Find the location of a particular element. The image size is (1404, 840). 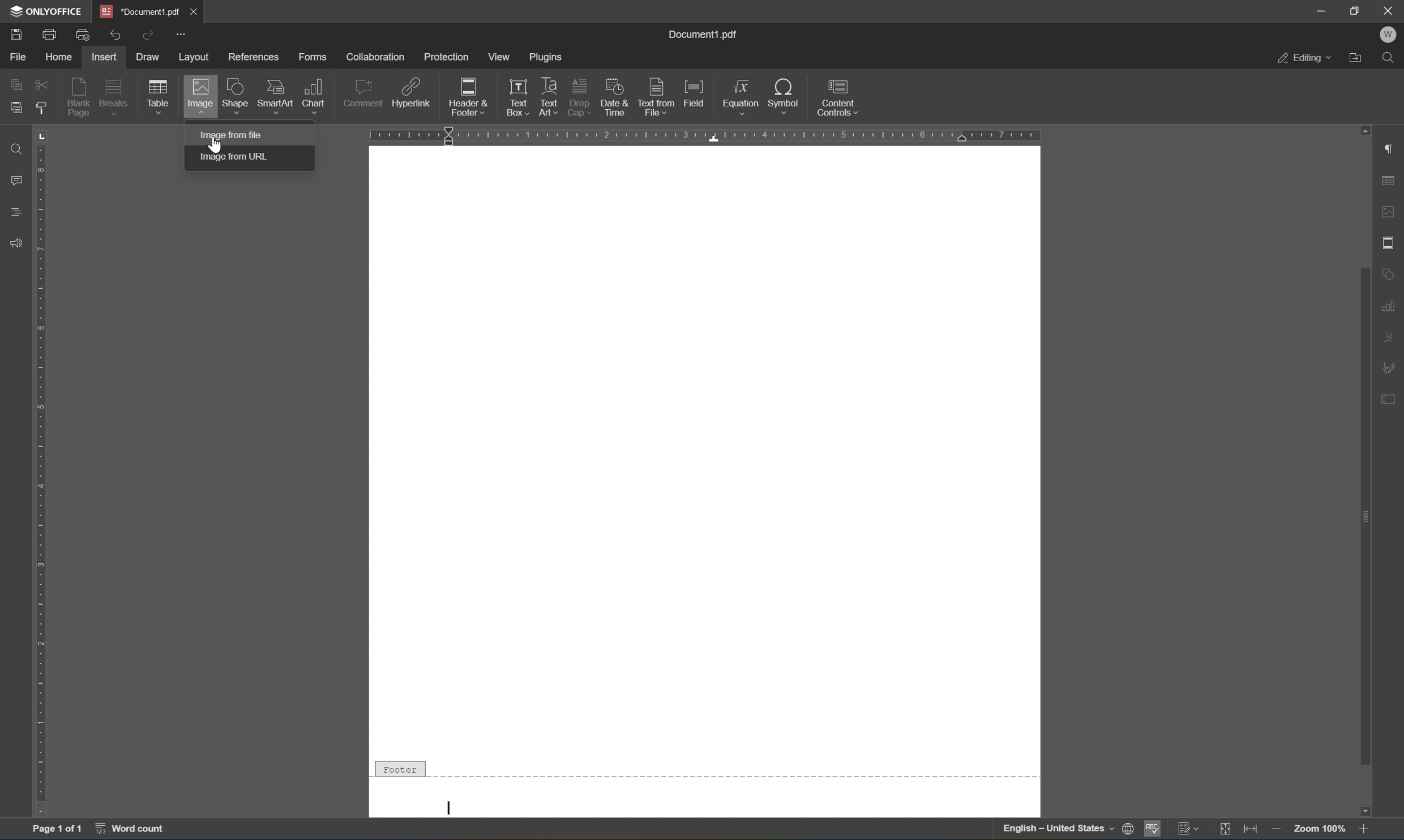

Footer is located at coordinates (399, 766).